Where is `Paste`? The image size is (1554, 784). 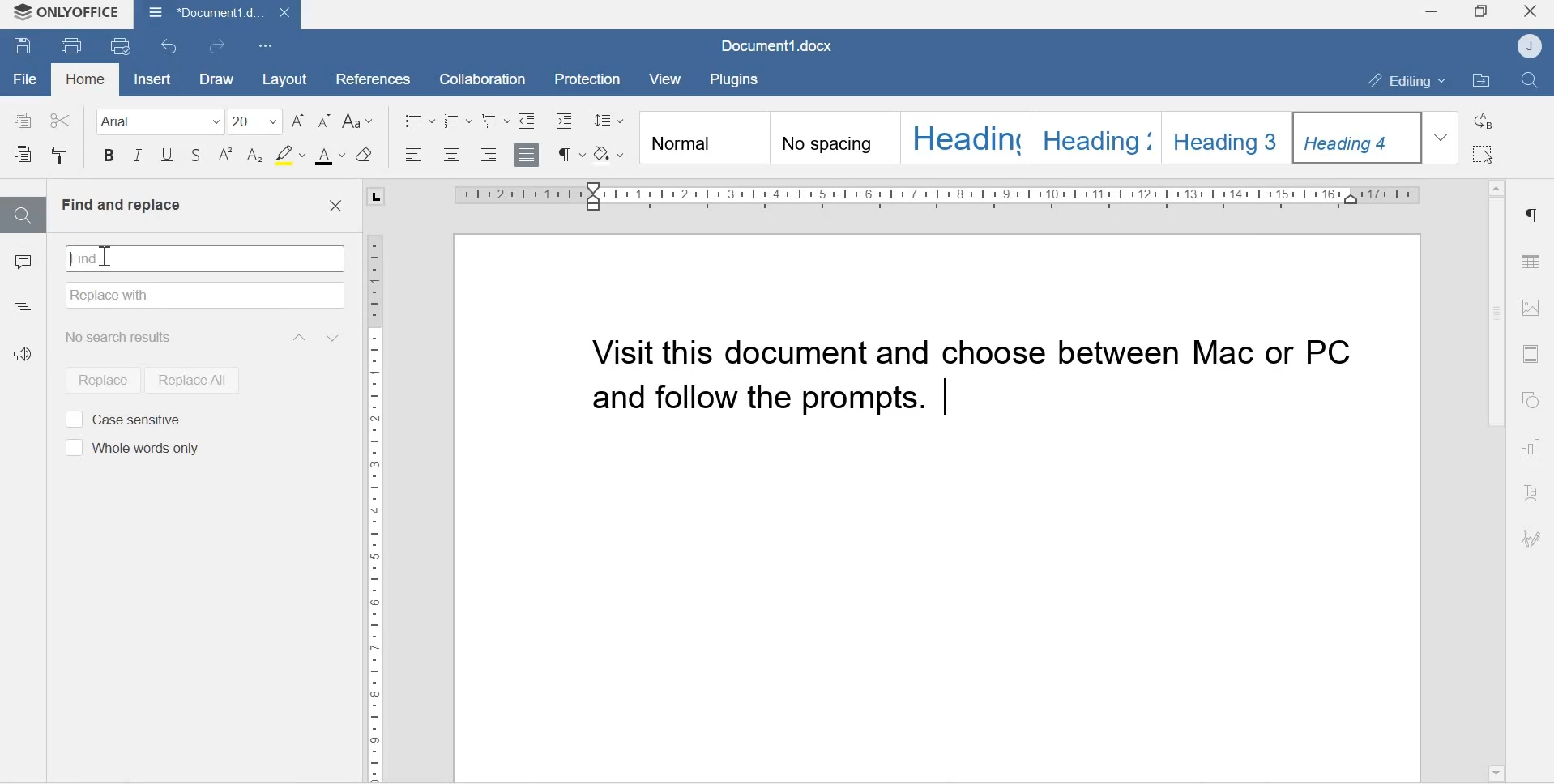
Paste is located at coordinates (25, 156).